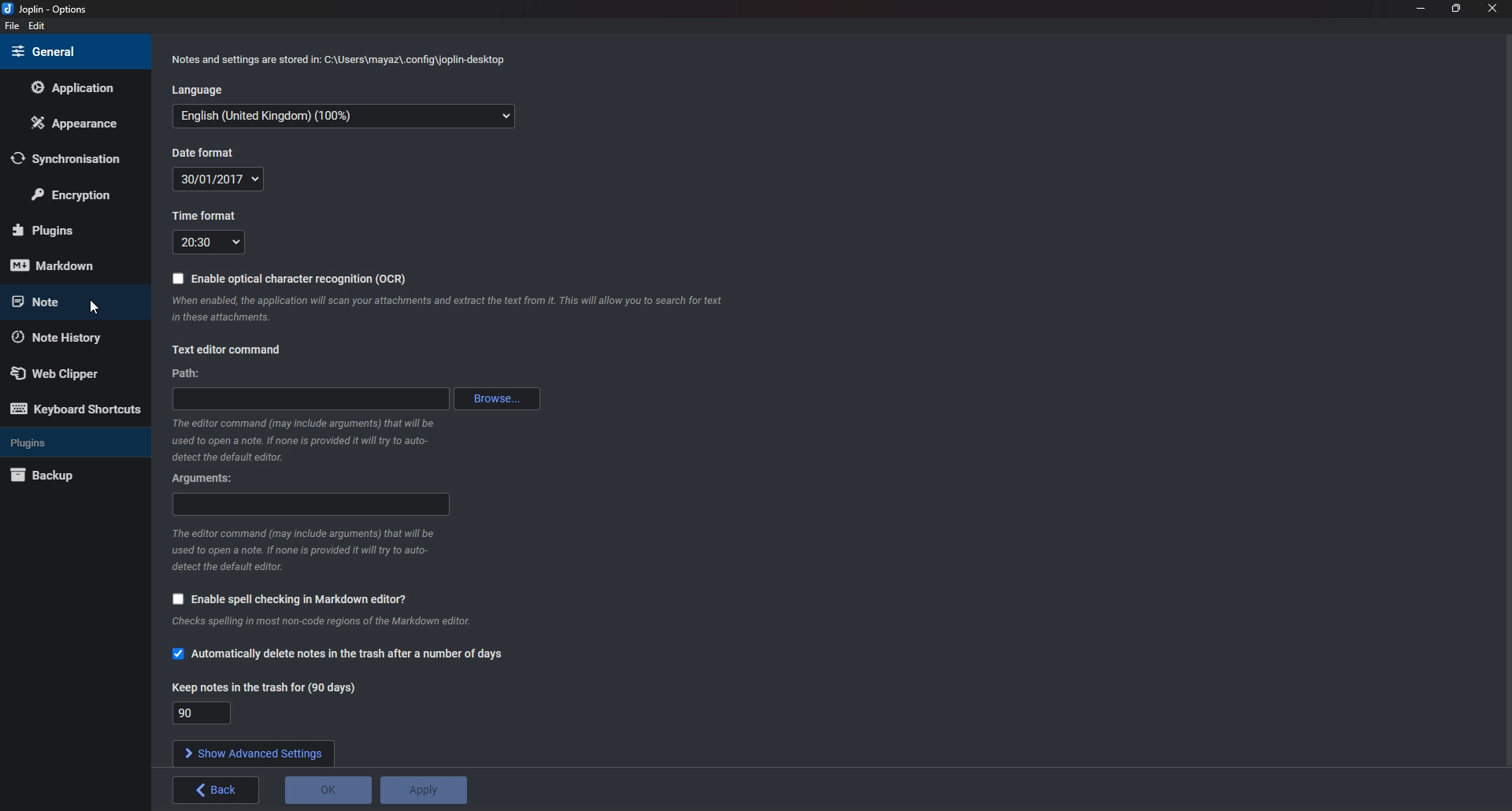  What do you see at coordinates (69, 231) in the screenshot?
I see `Plugins` at bounding box center [69, 231].